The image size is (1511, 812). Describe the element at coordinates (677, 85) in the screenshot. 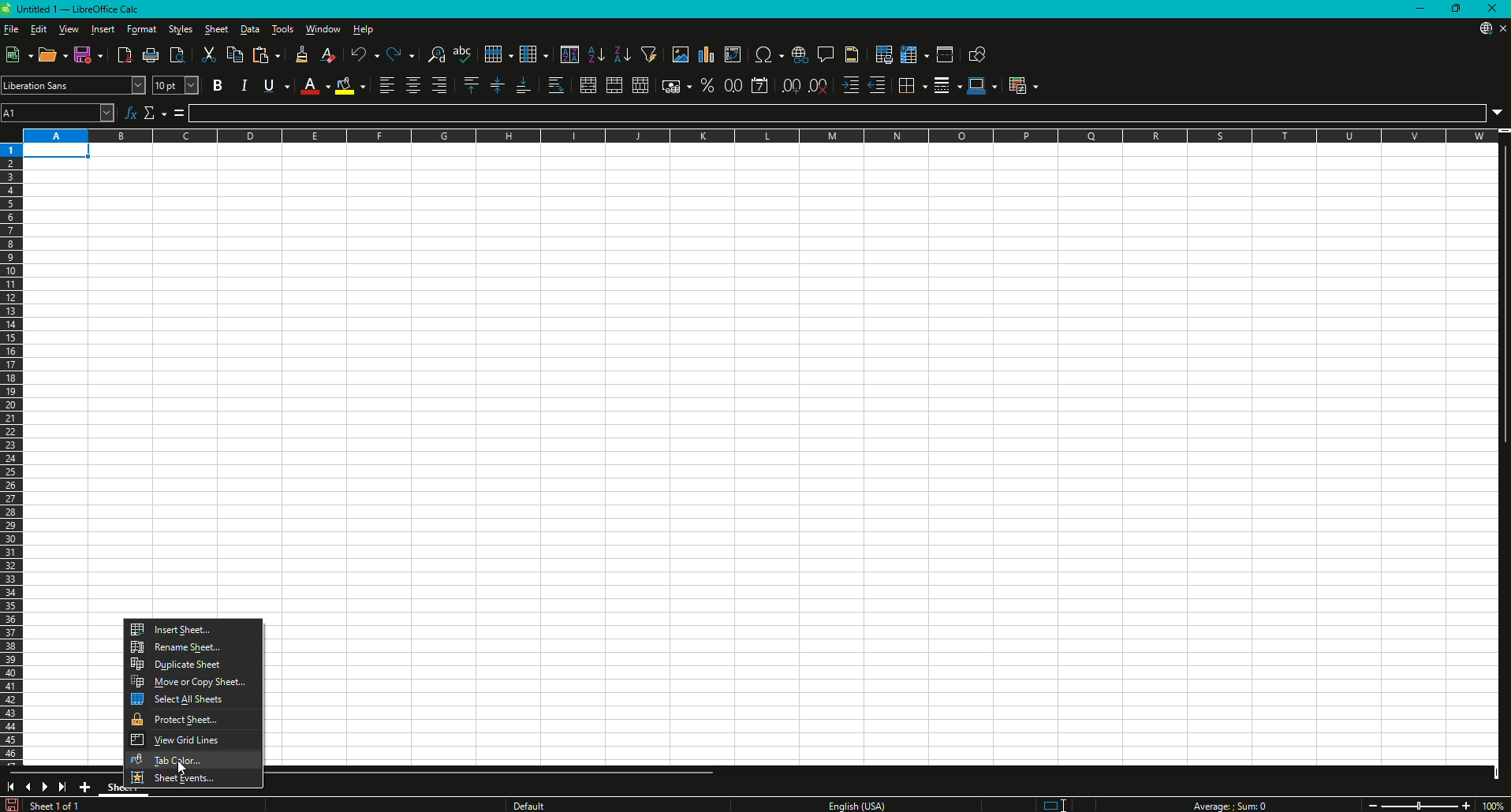

I see `Format as Currency` at that location.